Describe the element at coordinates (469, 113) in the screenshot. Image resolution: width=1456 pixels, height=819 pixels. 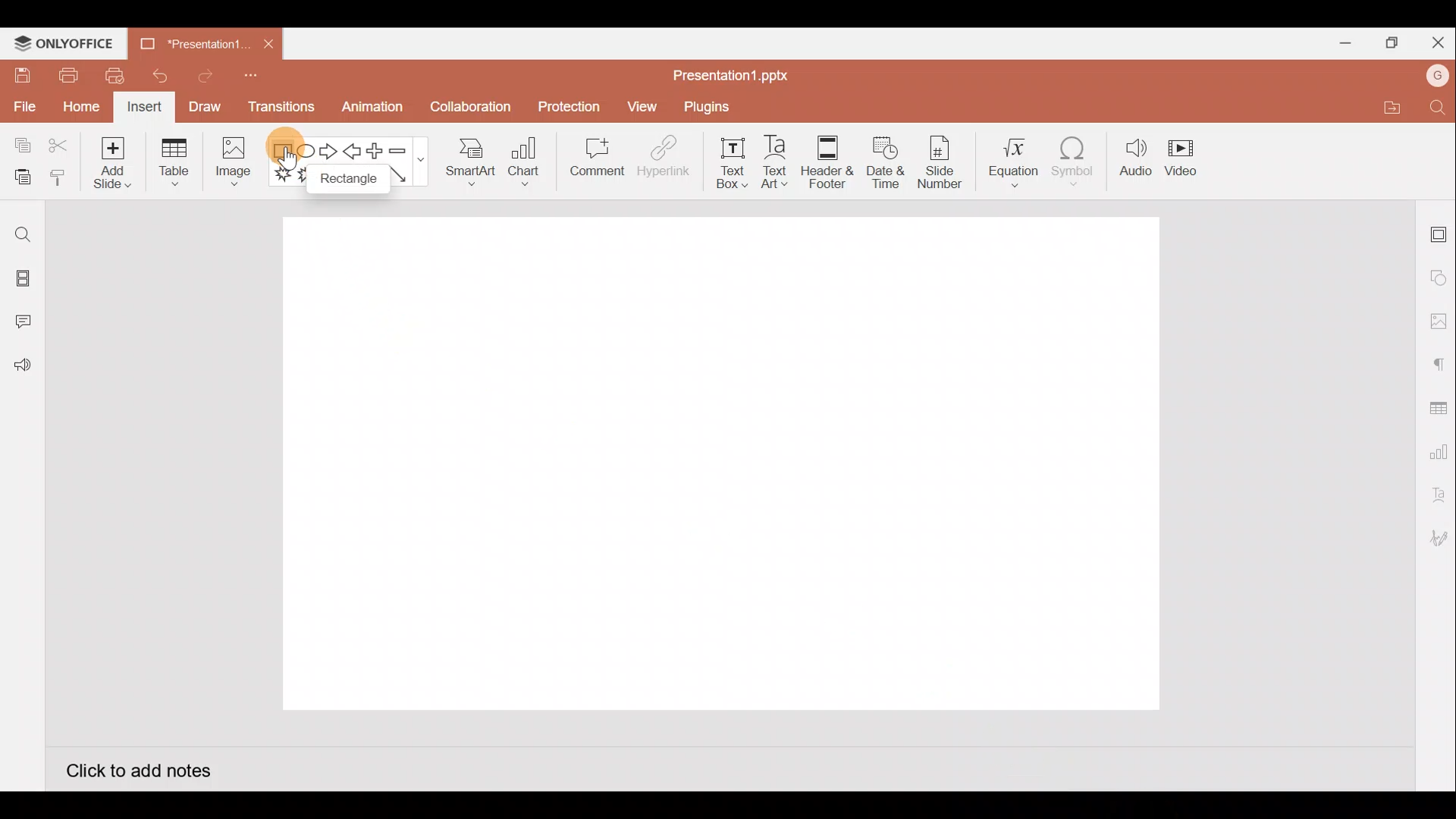
I see `Collaboration` at that location.